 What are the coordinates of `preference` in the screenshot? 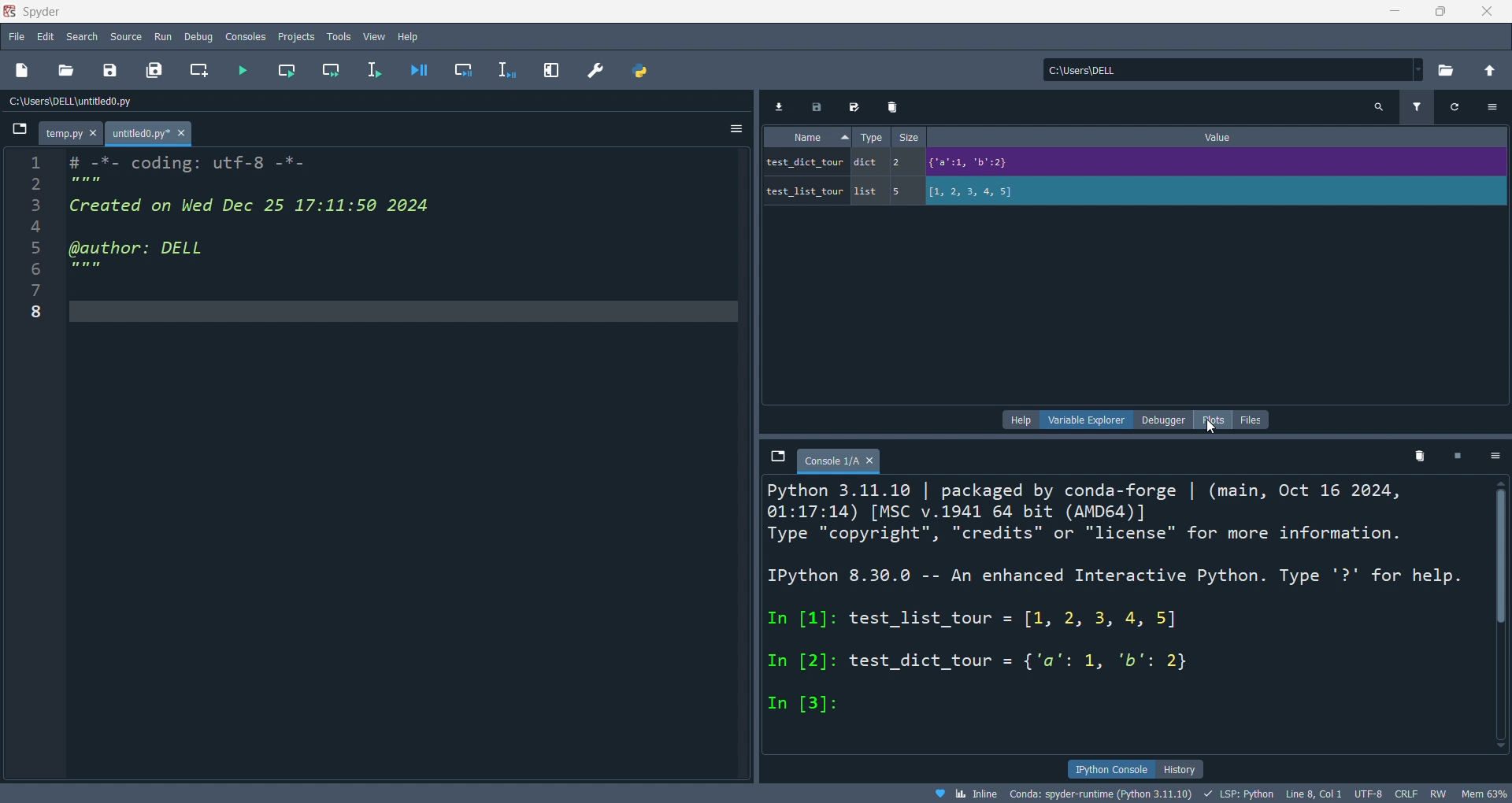 It's located at (595, 69).